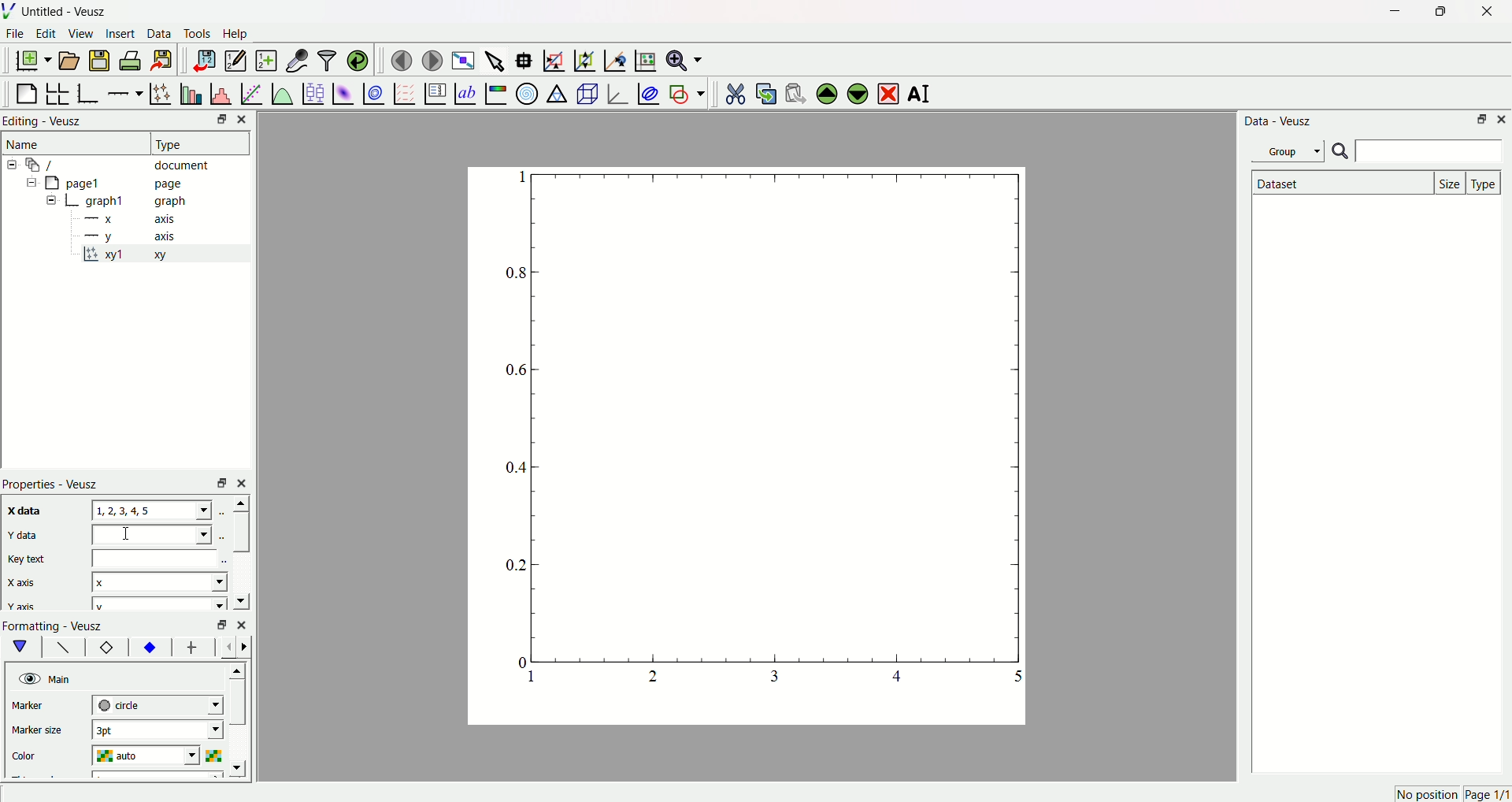 This screenshot has width=1512, height=802. I want to click on polar graphs, so click(527, 91).